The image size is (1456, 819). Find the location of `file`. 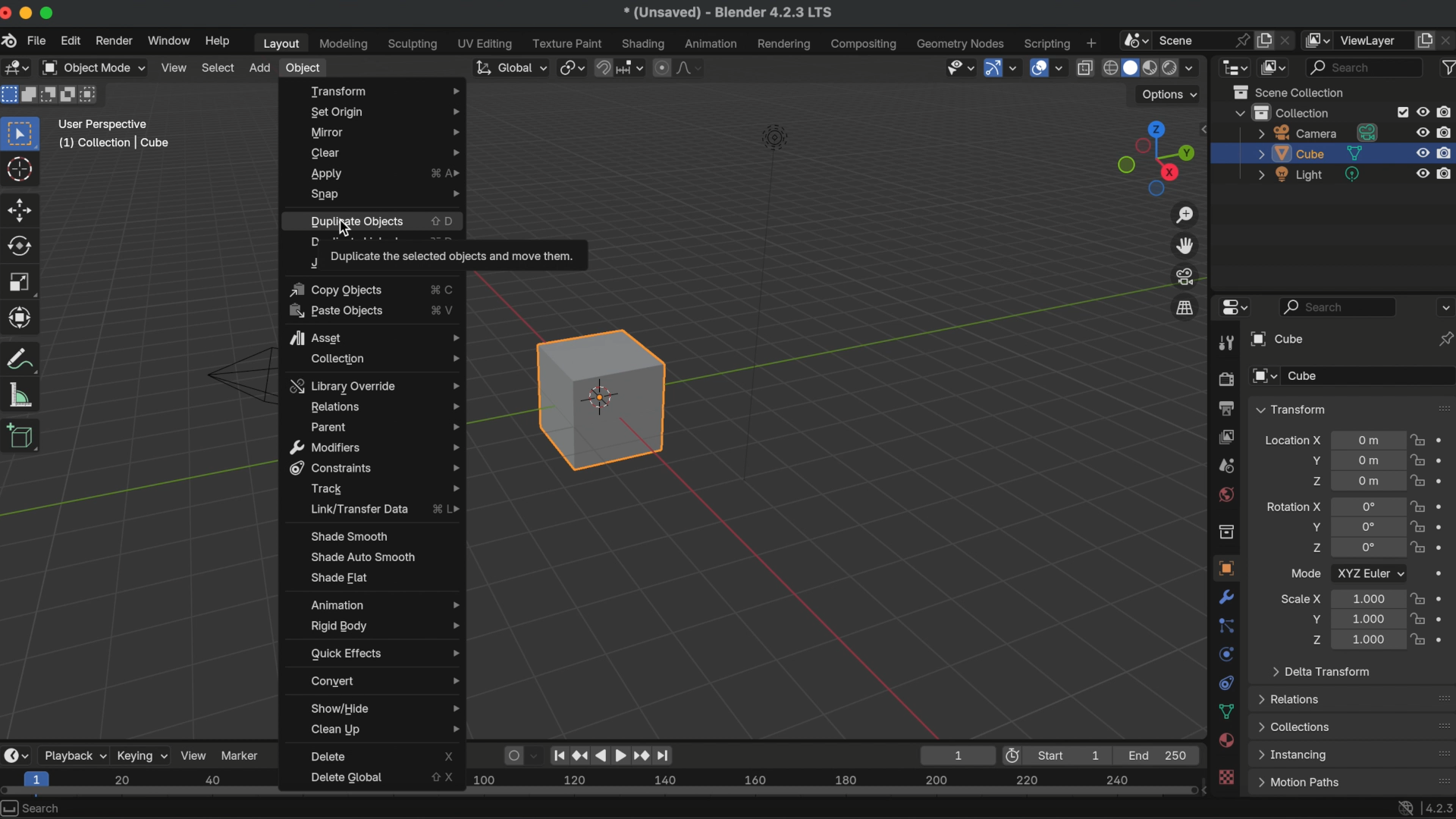

file is located at coordinates (36, 41).